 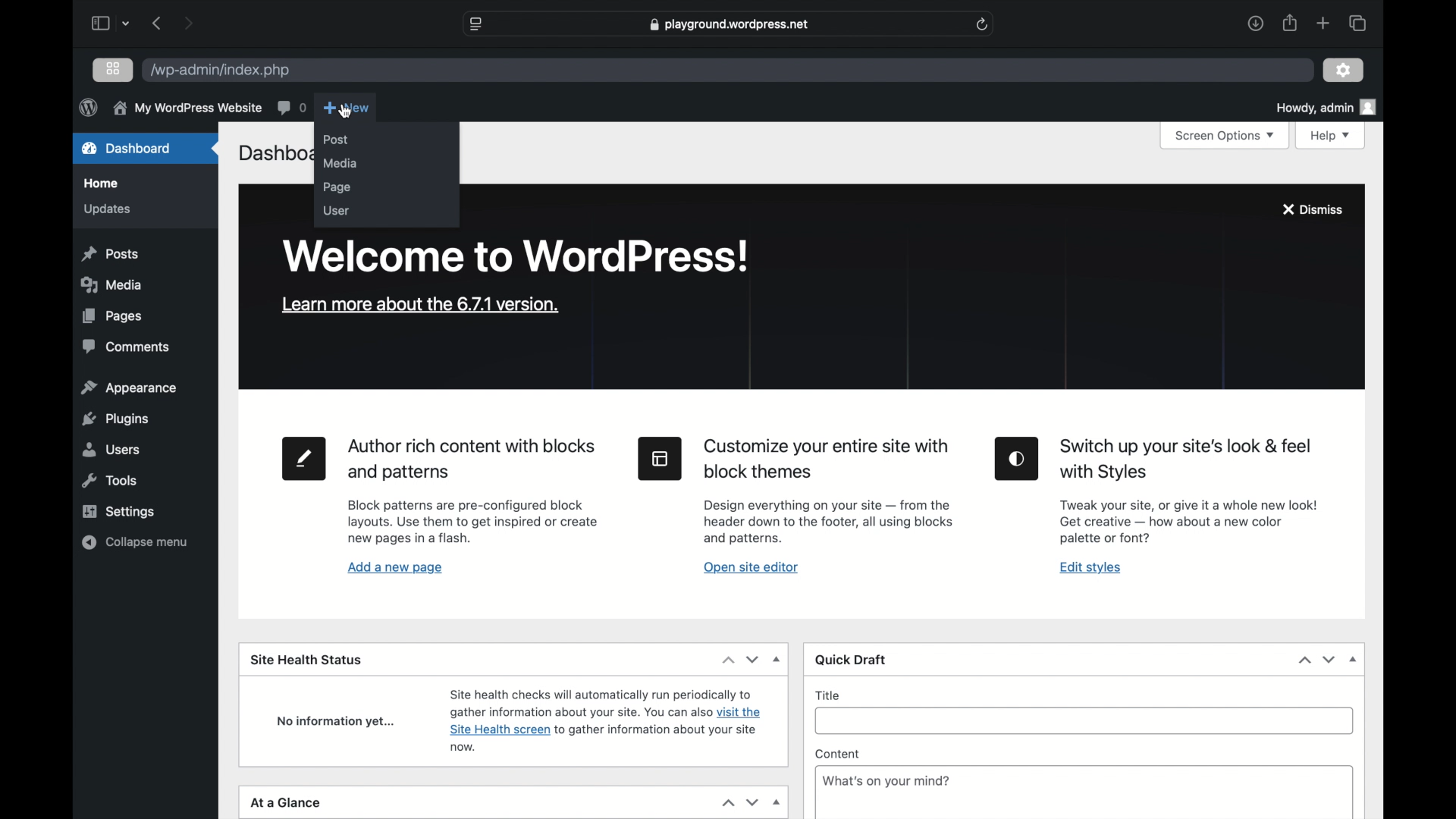 What do you see at coordinates (219, 71) in the screenshot?
I see `wordpress address` at bounding box center [219, 71].